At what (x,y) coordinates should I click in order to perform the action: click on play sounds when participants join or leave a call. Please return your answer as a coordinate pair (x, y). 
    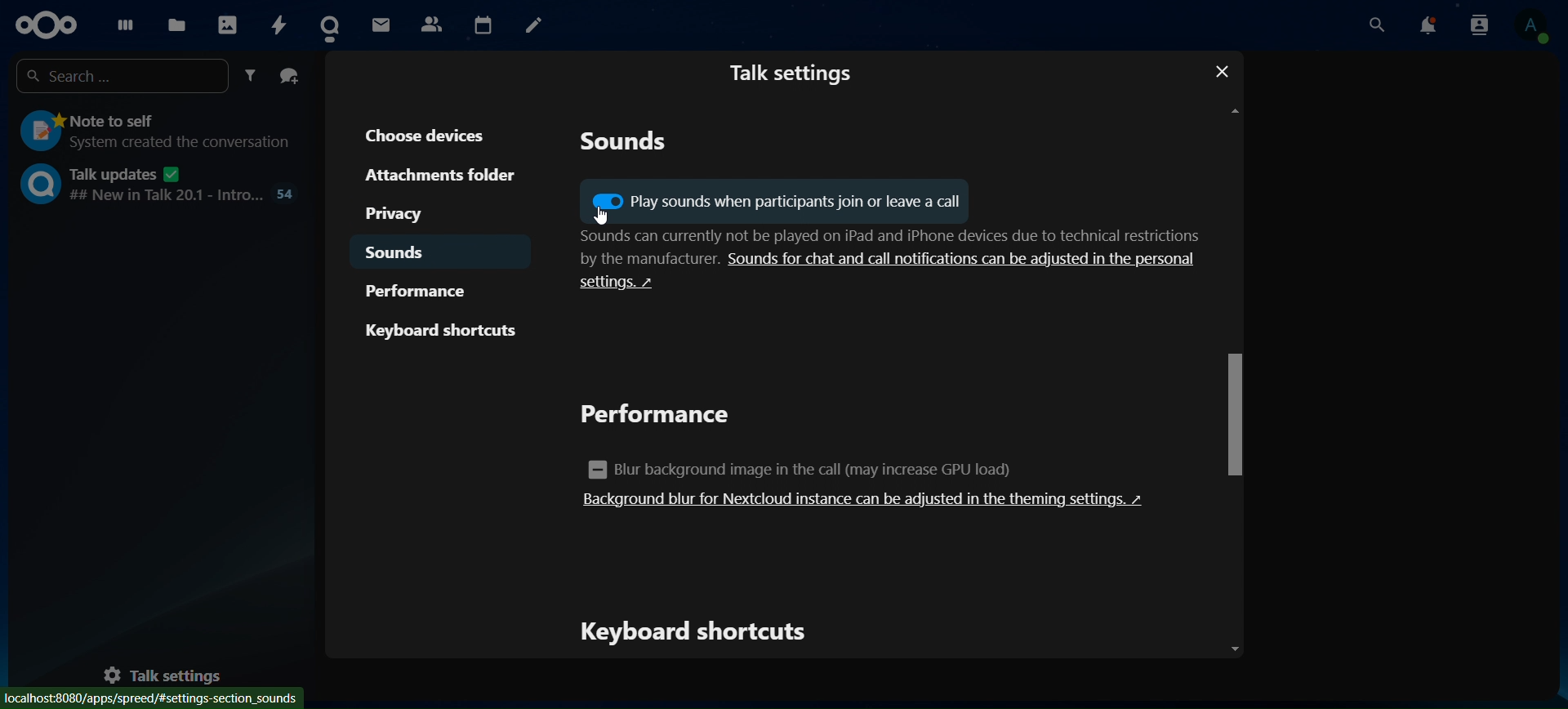
    Looking at the image, I should click on (773, 202).